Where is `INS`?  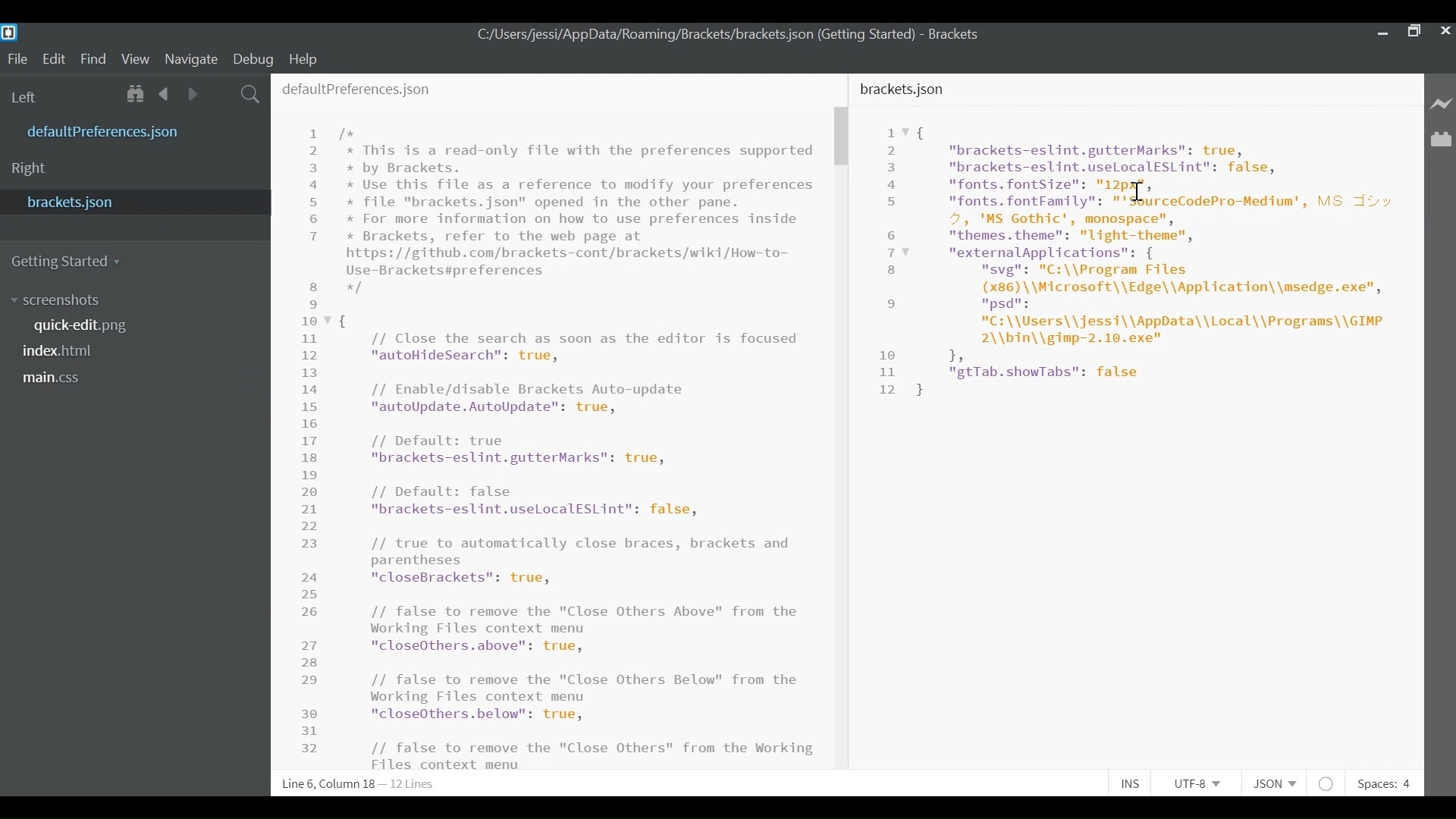 INS is located at coordinates (1135, 783).